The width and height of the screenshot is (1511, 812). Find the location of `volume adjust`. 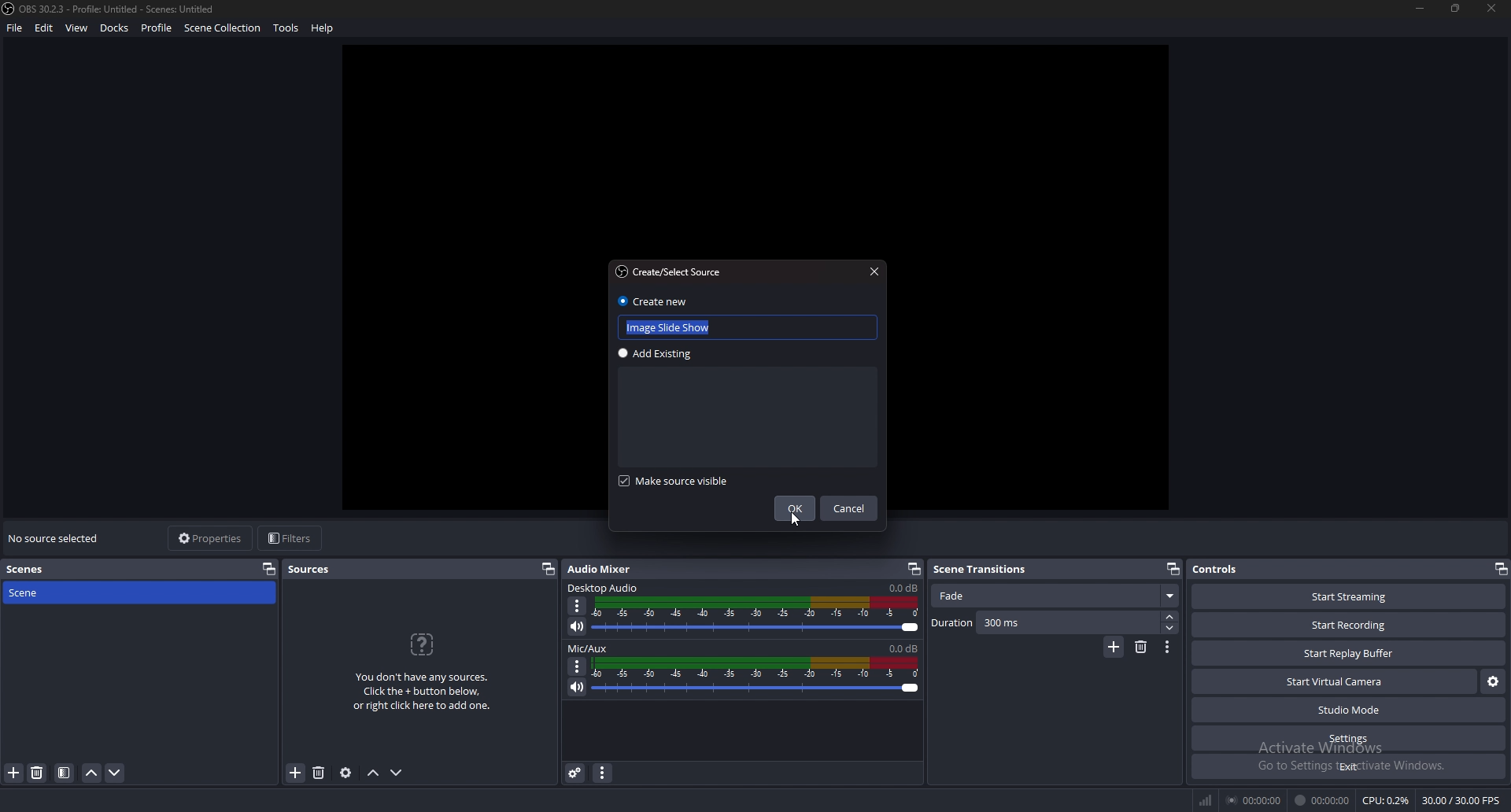

volume adjust is located at coordinates (756, 677).